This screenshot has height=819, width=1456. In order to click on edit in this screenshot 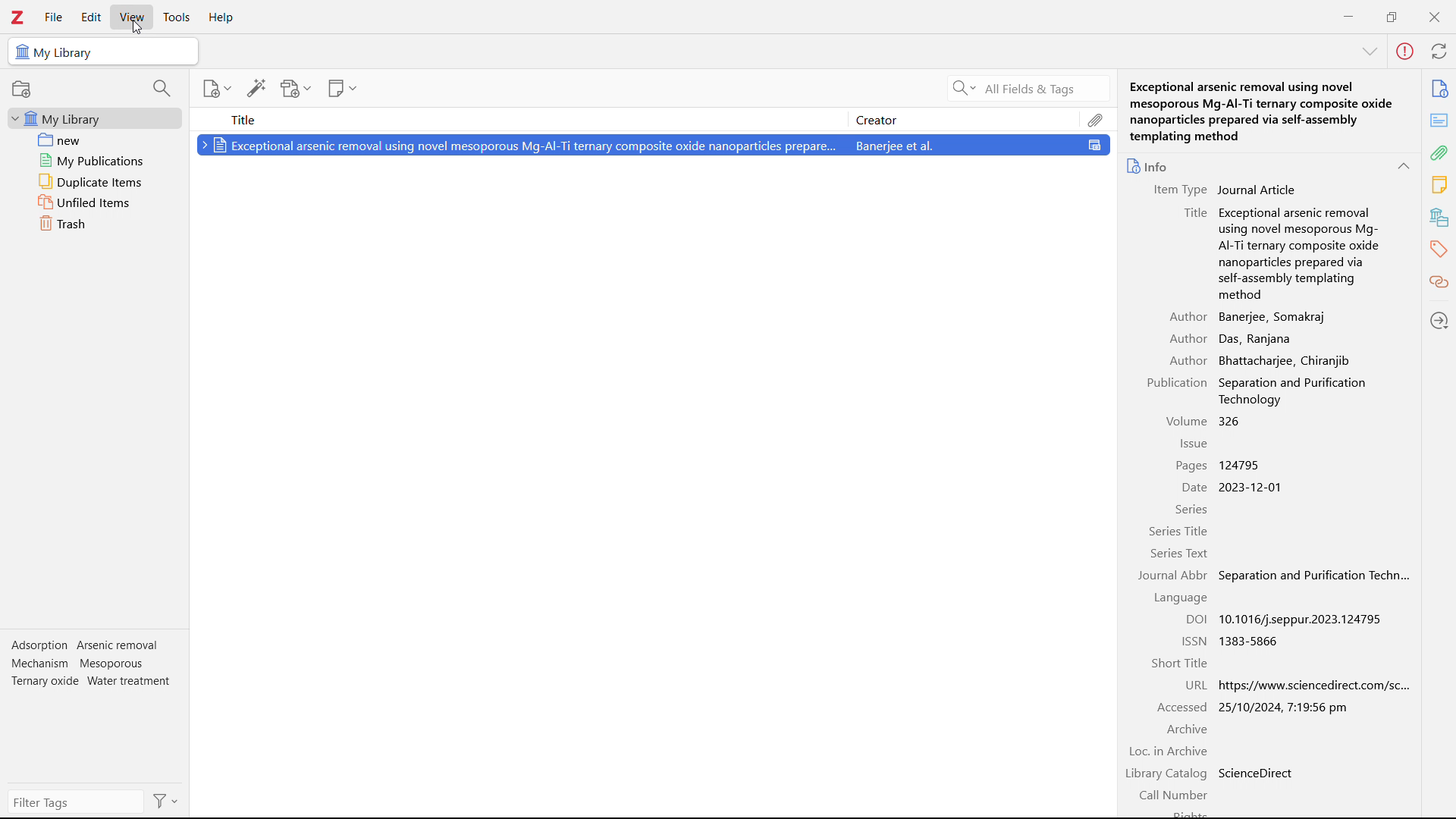, I will do `click(91, 18)`.